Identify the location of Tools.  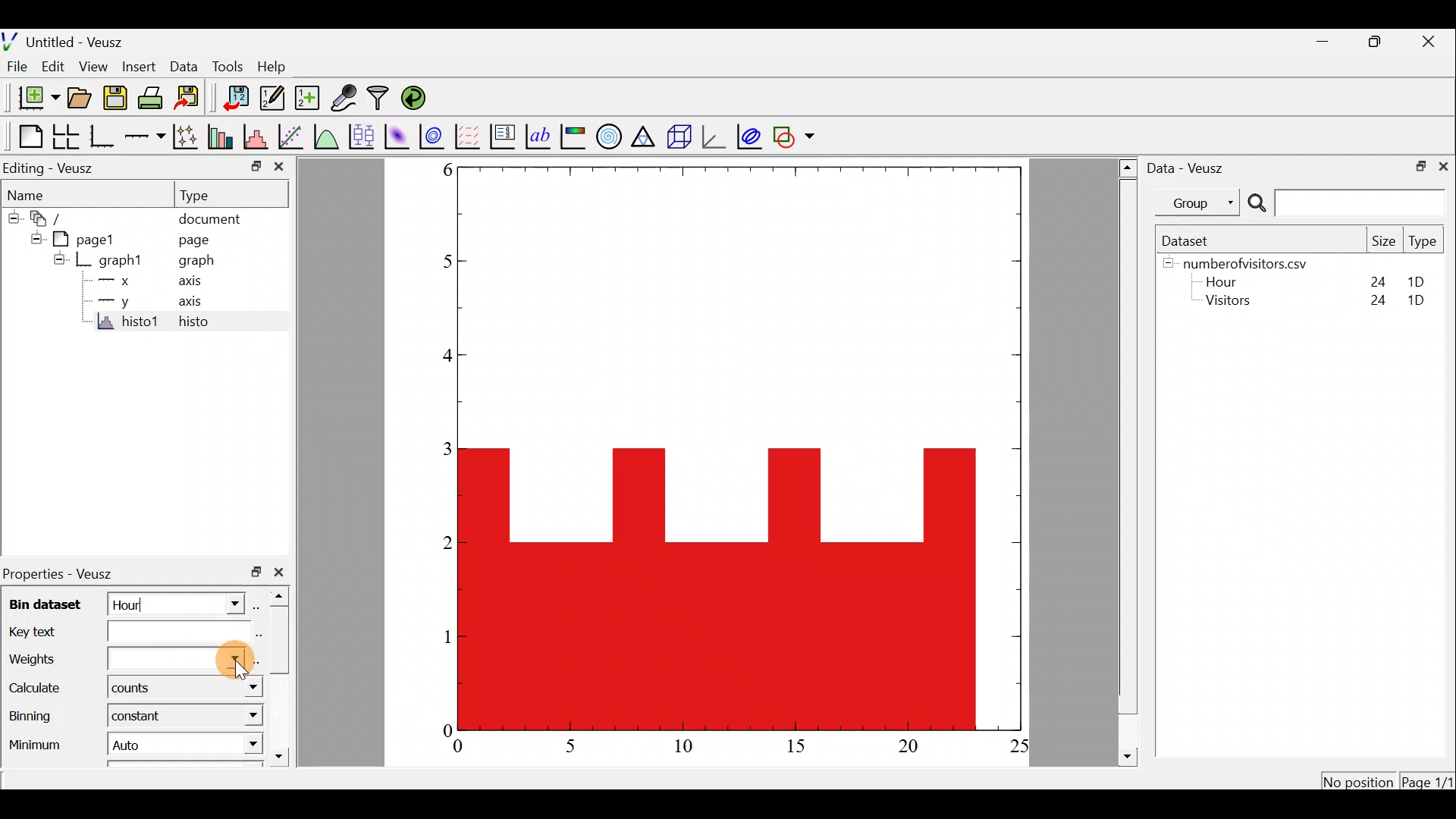
(231, 67).